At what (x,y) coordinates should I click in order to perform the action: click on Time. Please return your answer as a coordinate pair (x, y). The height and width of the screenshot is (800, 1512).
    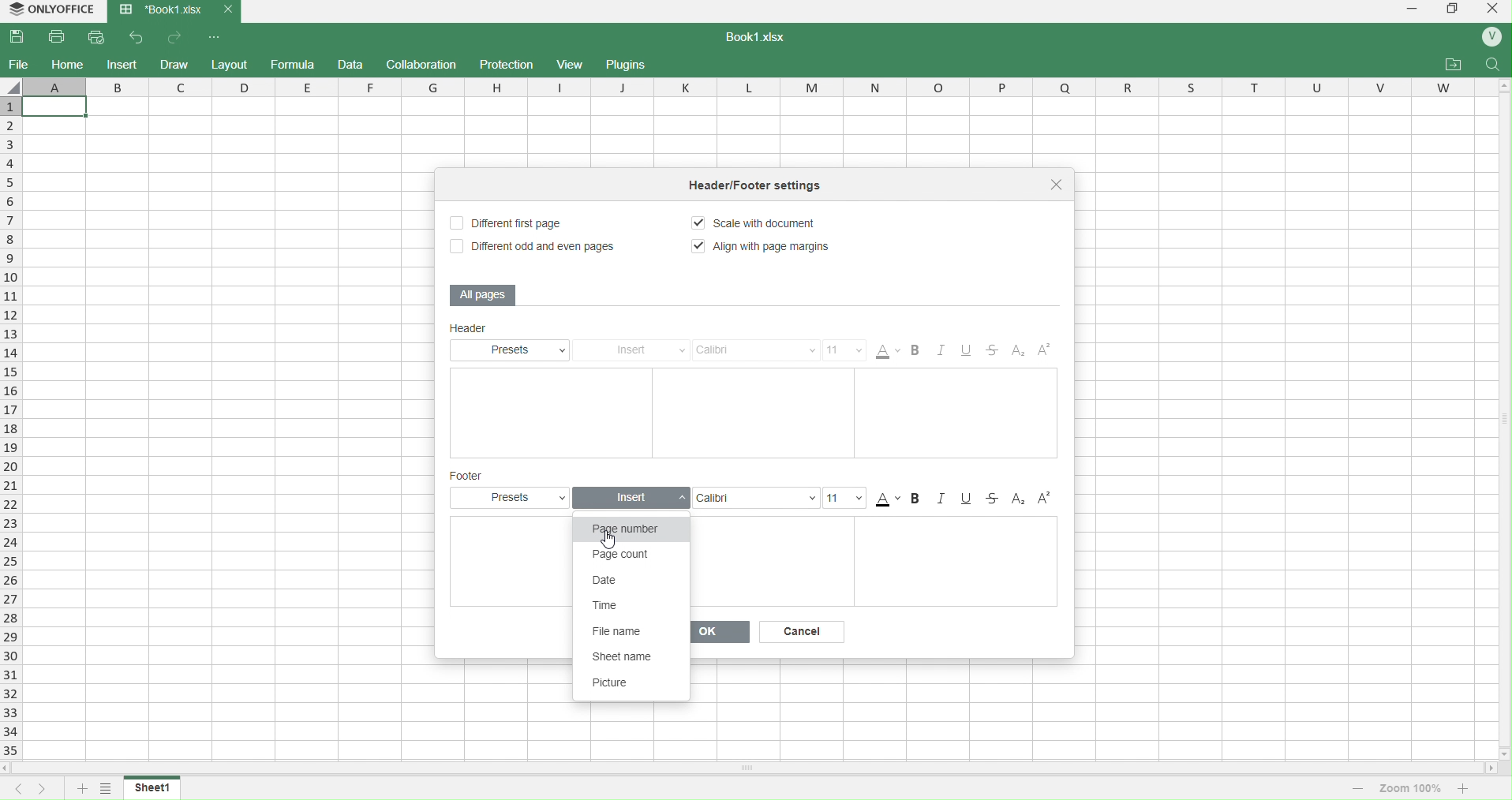
    Looking at the image, I should click on (632, 604).